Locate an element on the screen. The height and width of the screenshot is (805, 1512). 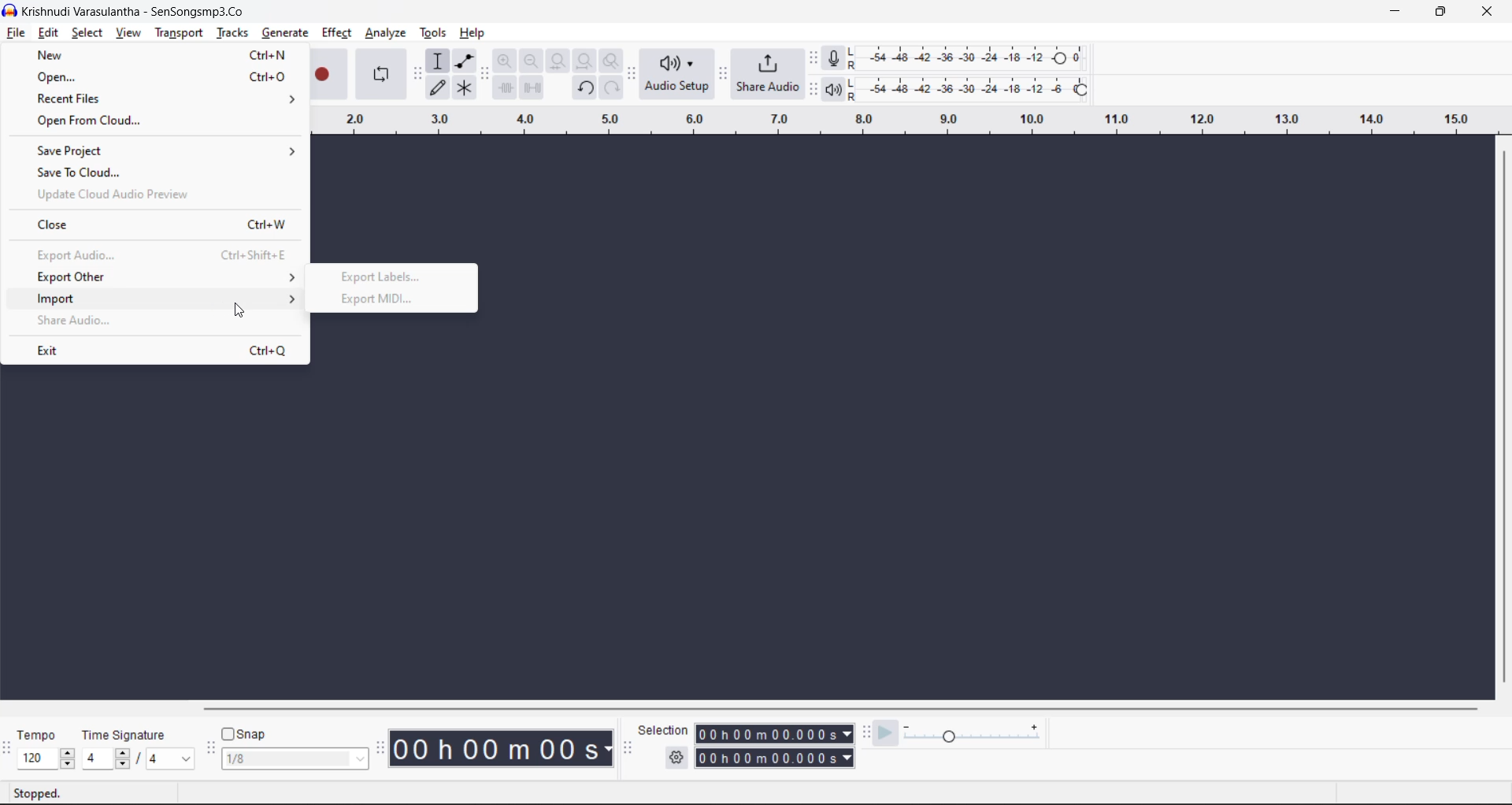
new is located at coordinates (157, 54).